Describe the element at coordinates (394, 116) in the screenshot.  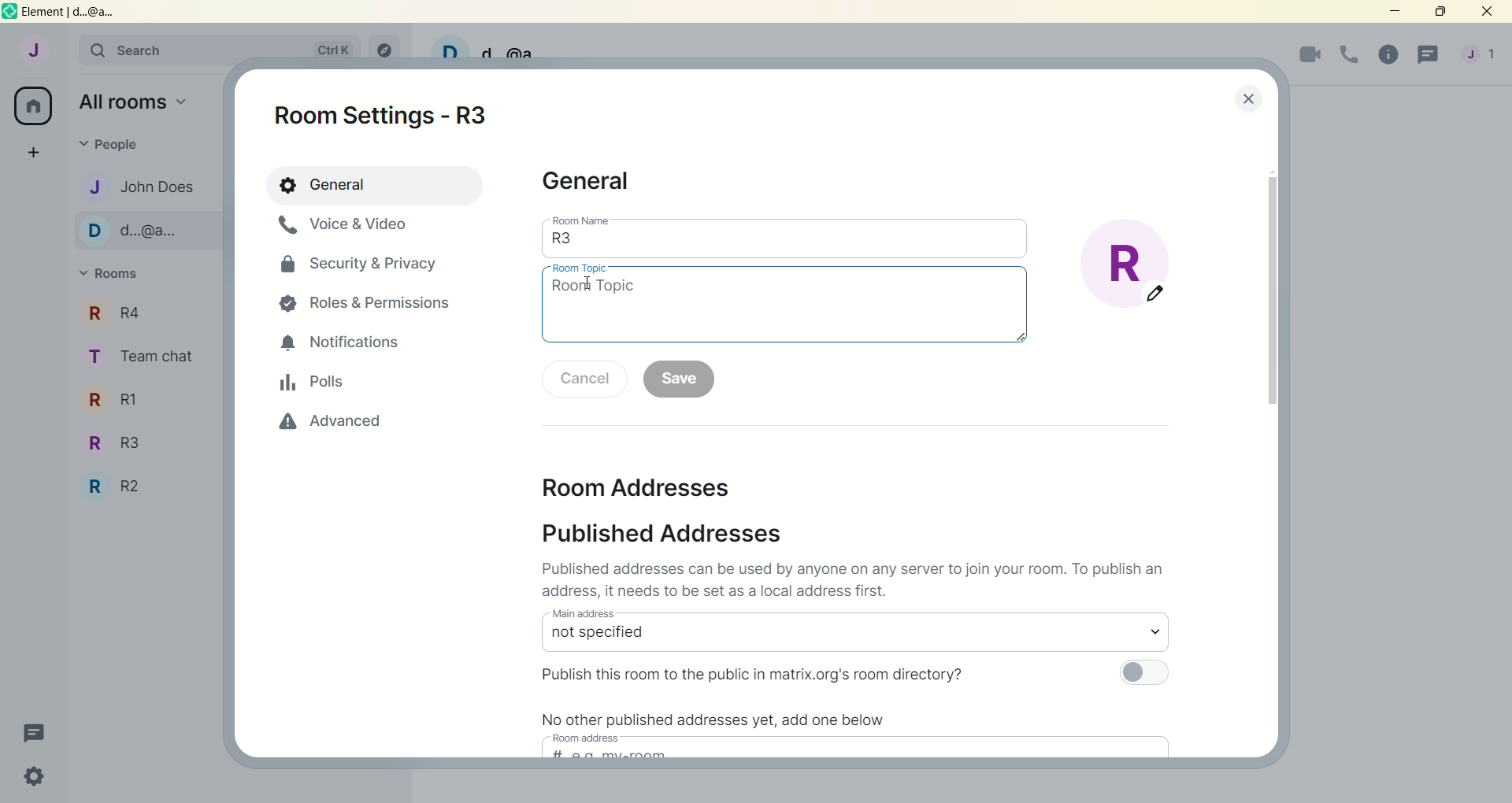
I see `room settings` at that location.